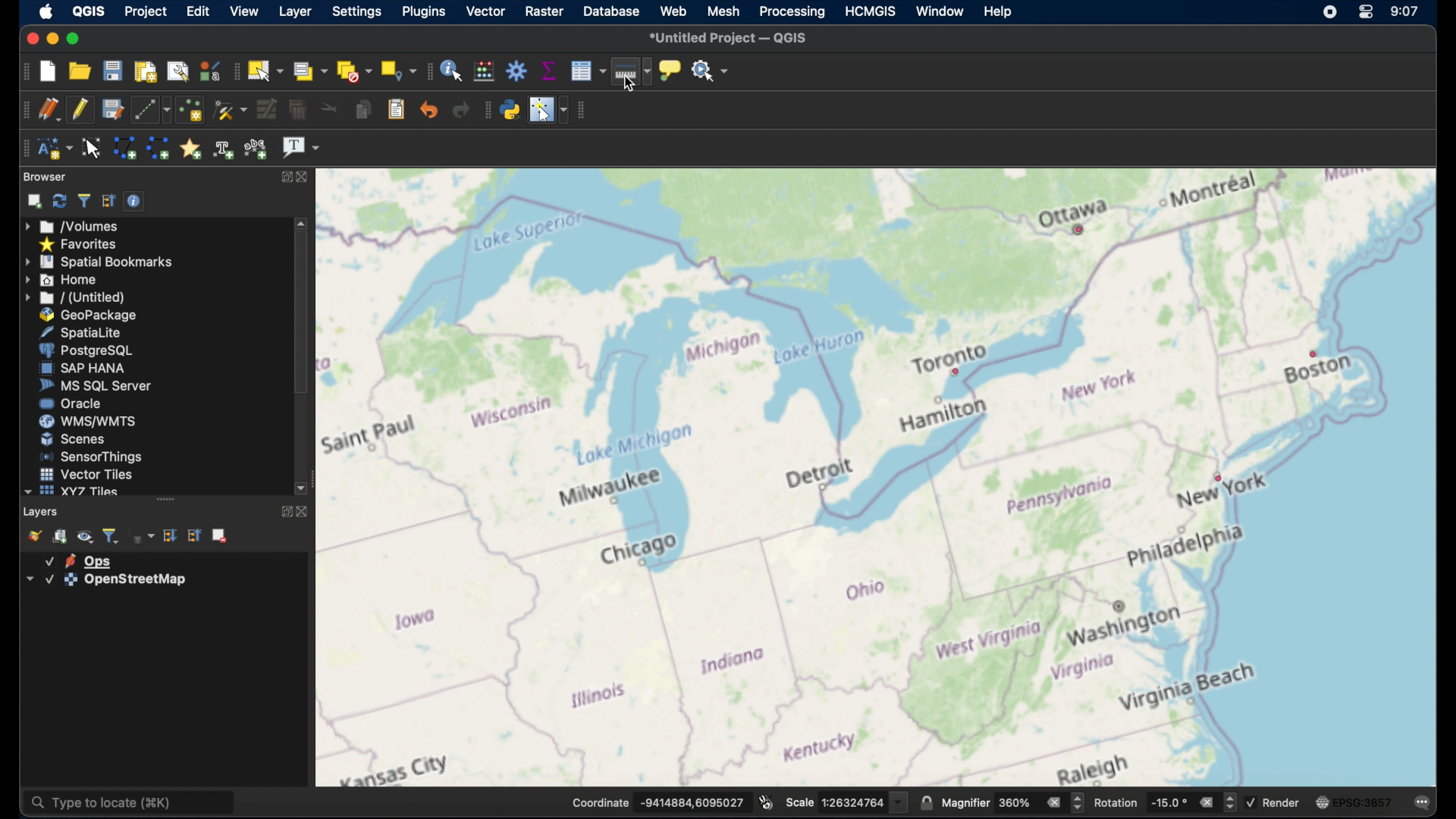  Describe the element at coordinates (113, 70) in the screenshot. I see `save project` at that location.